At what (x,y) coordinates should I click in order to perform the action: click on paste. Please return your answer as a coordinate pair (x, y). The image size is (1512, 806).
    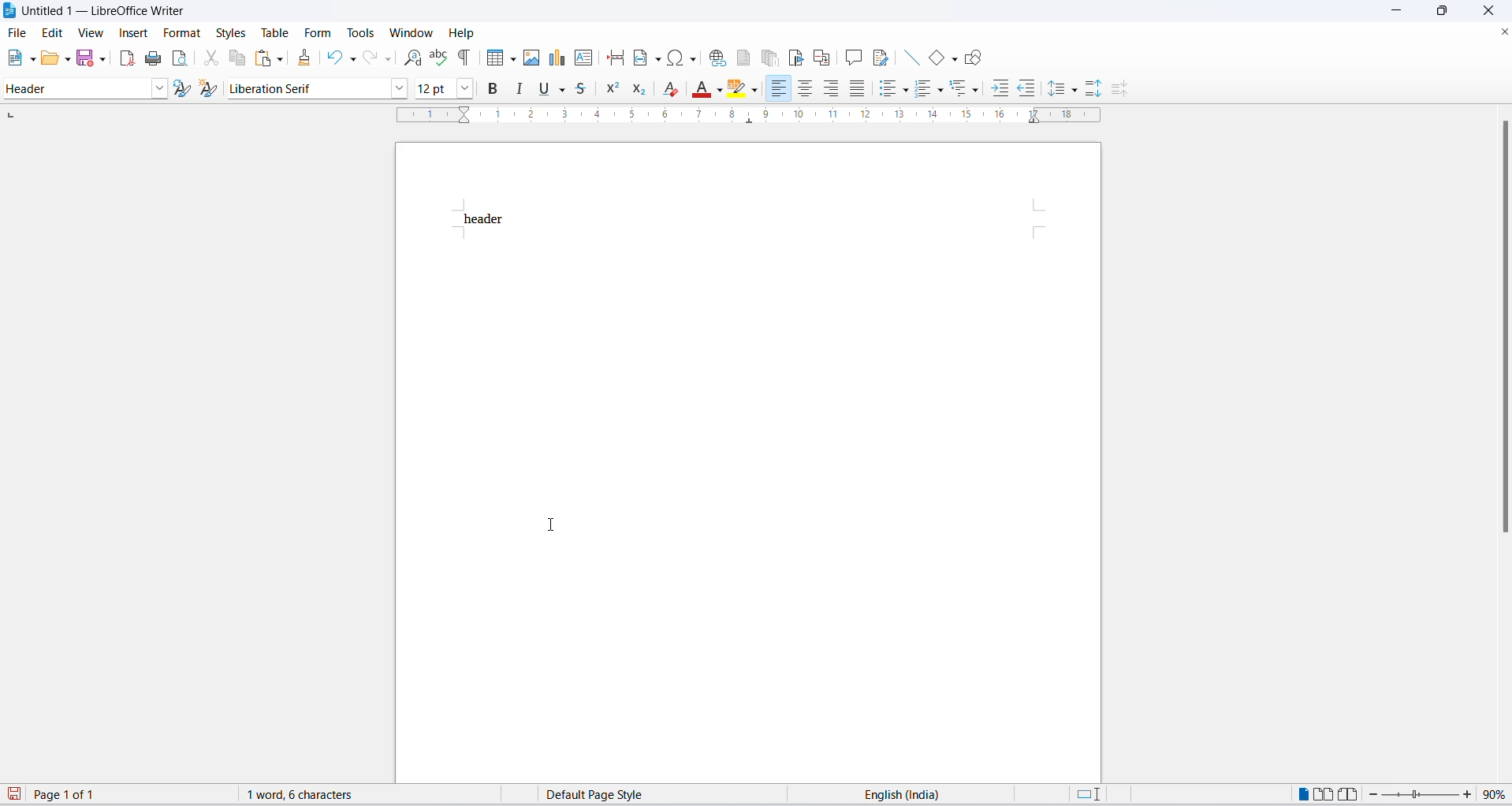
    Looking at the image, I should click on (261, 59).